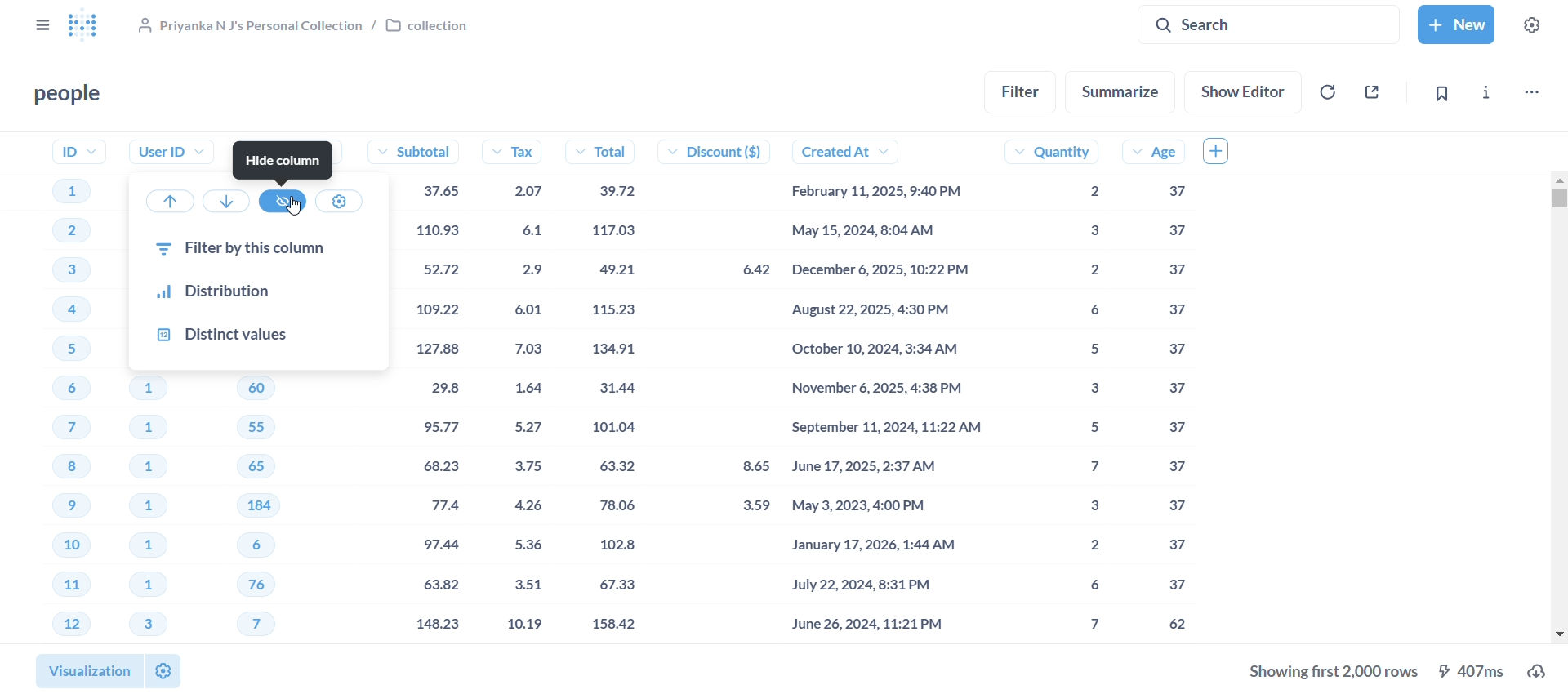  Describe the element at coordinates (1163, 388) in the screenshot. I see `age` at that location.